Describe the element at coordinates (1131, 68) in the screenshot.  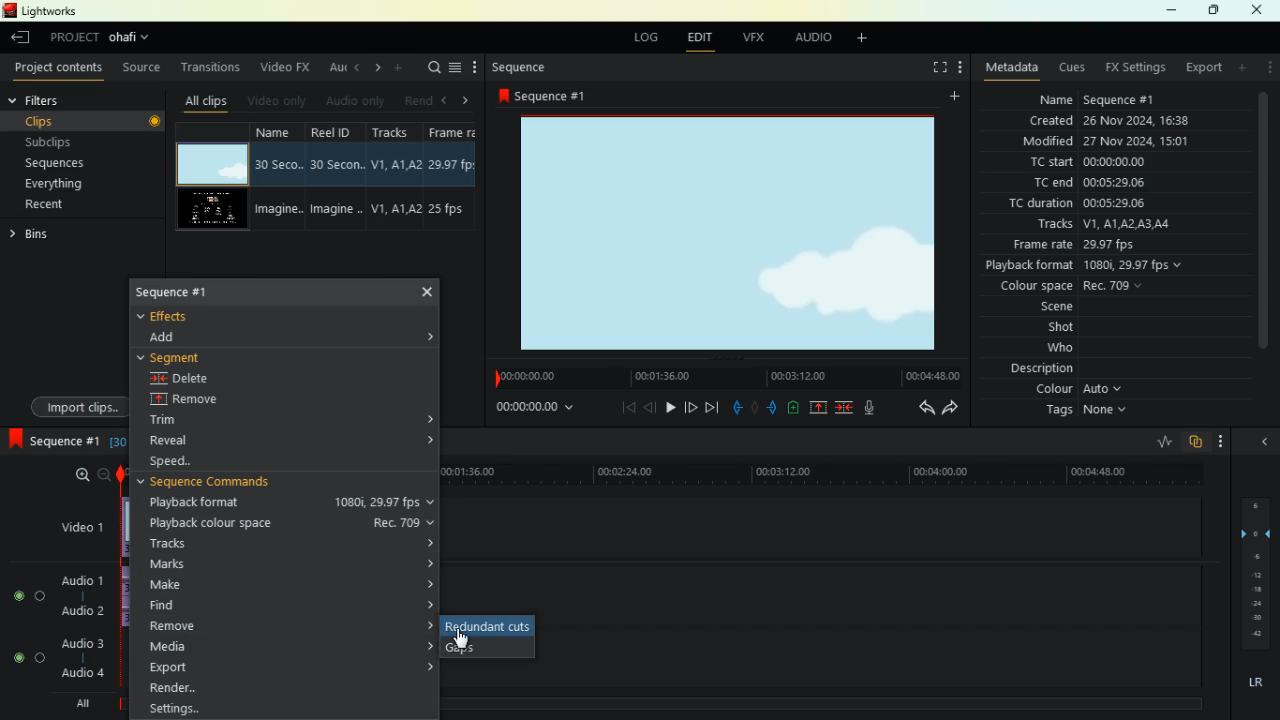
I see `fx settings` at that location.